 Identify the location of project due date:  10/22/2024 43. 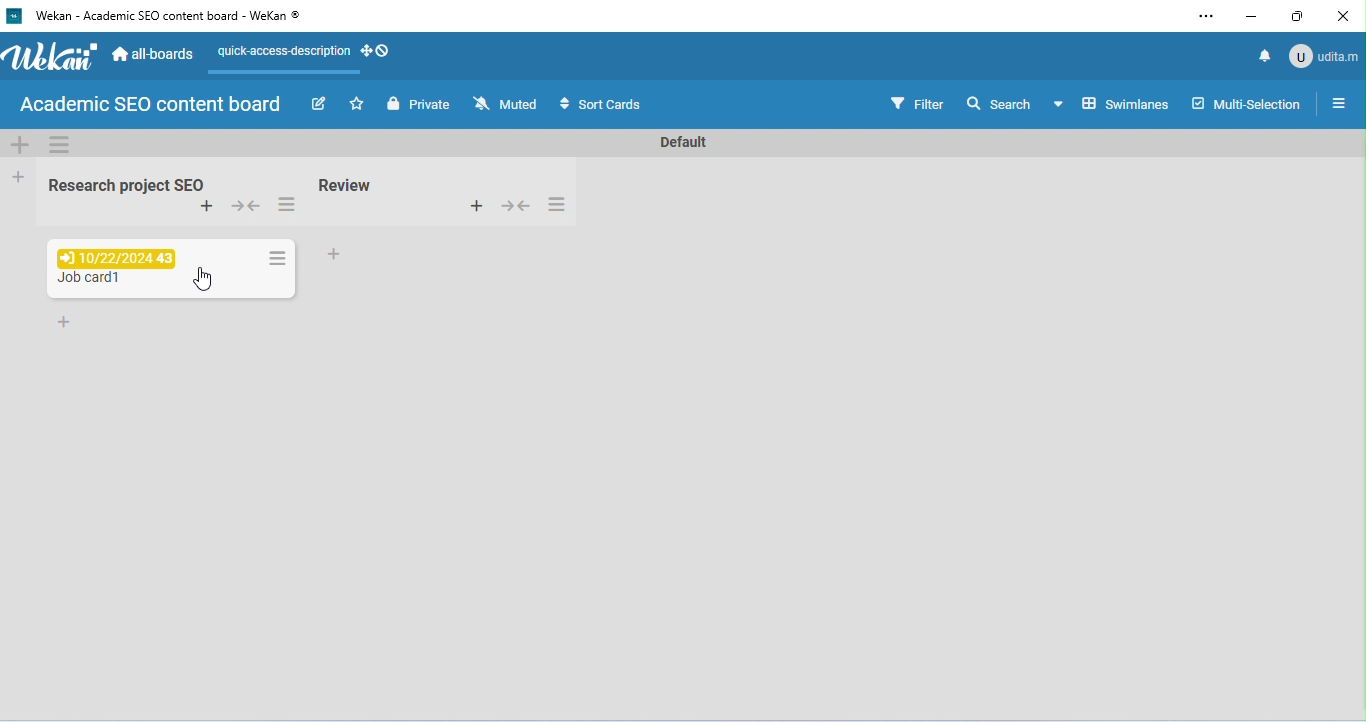
(114, 256).